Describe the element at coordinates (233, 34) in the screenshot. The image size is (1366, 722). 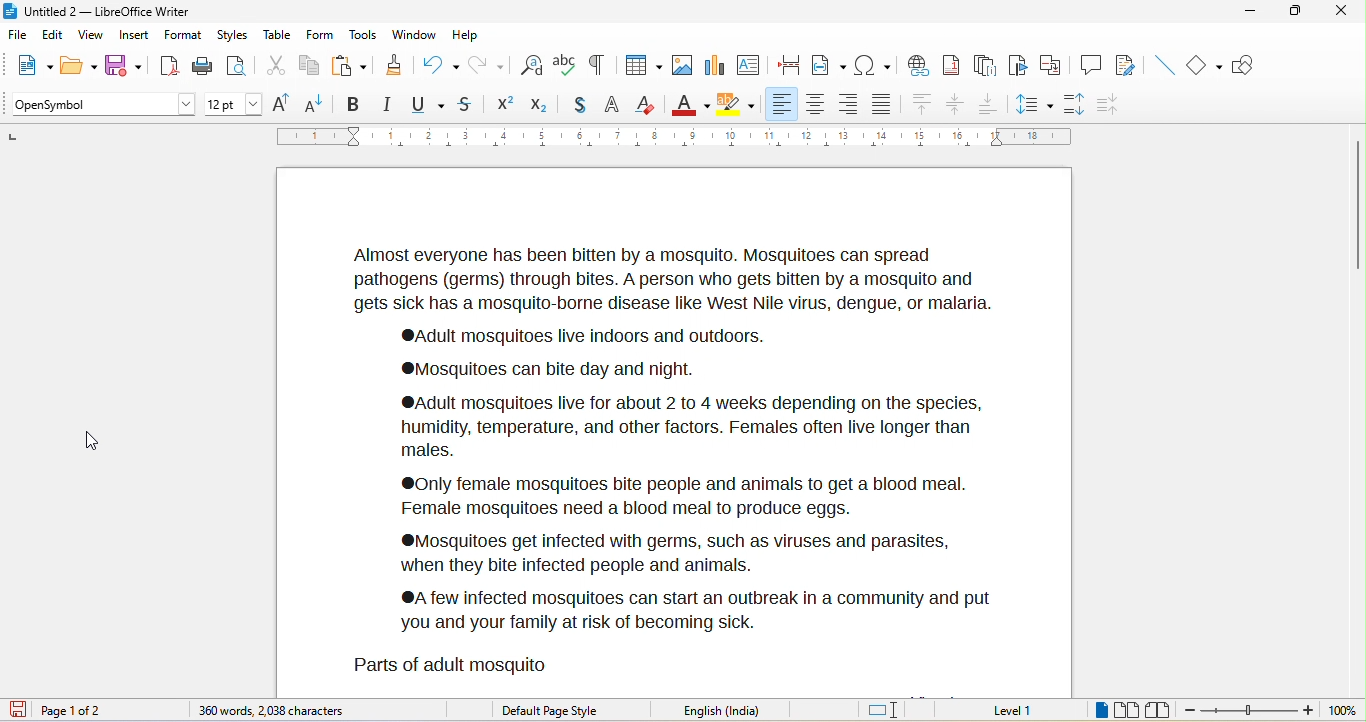
I see `styles` at that location.